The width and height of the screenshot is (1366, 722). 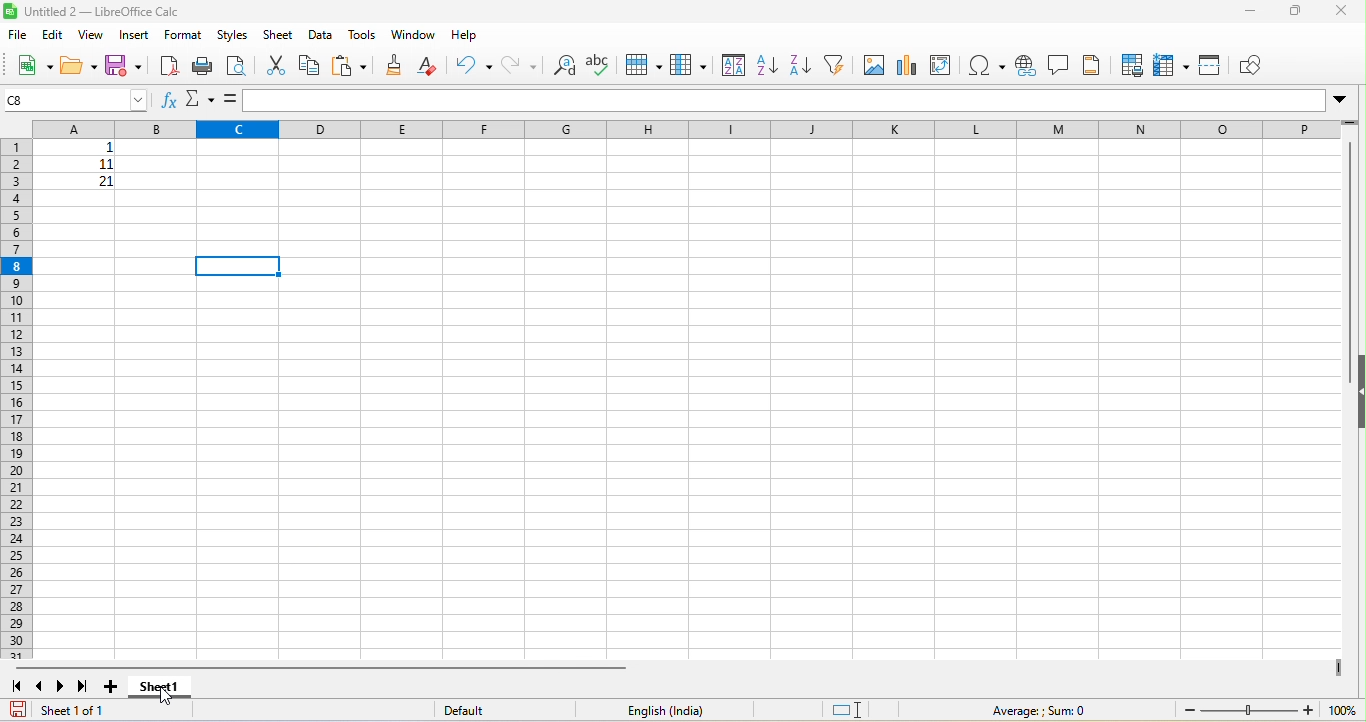 What do you see at coordinates (236, 65) in the screenshot?
I see `print preview` at bounding box center [236, 65].